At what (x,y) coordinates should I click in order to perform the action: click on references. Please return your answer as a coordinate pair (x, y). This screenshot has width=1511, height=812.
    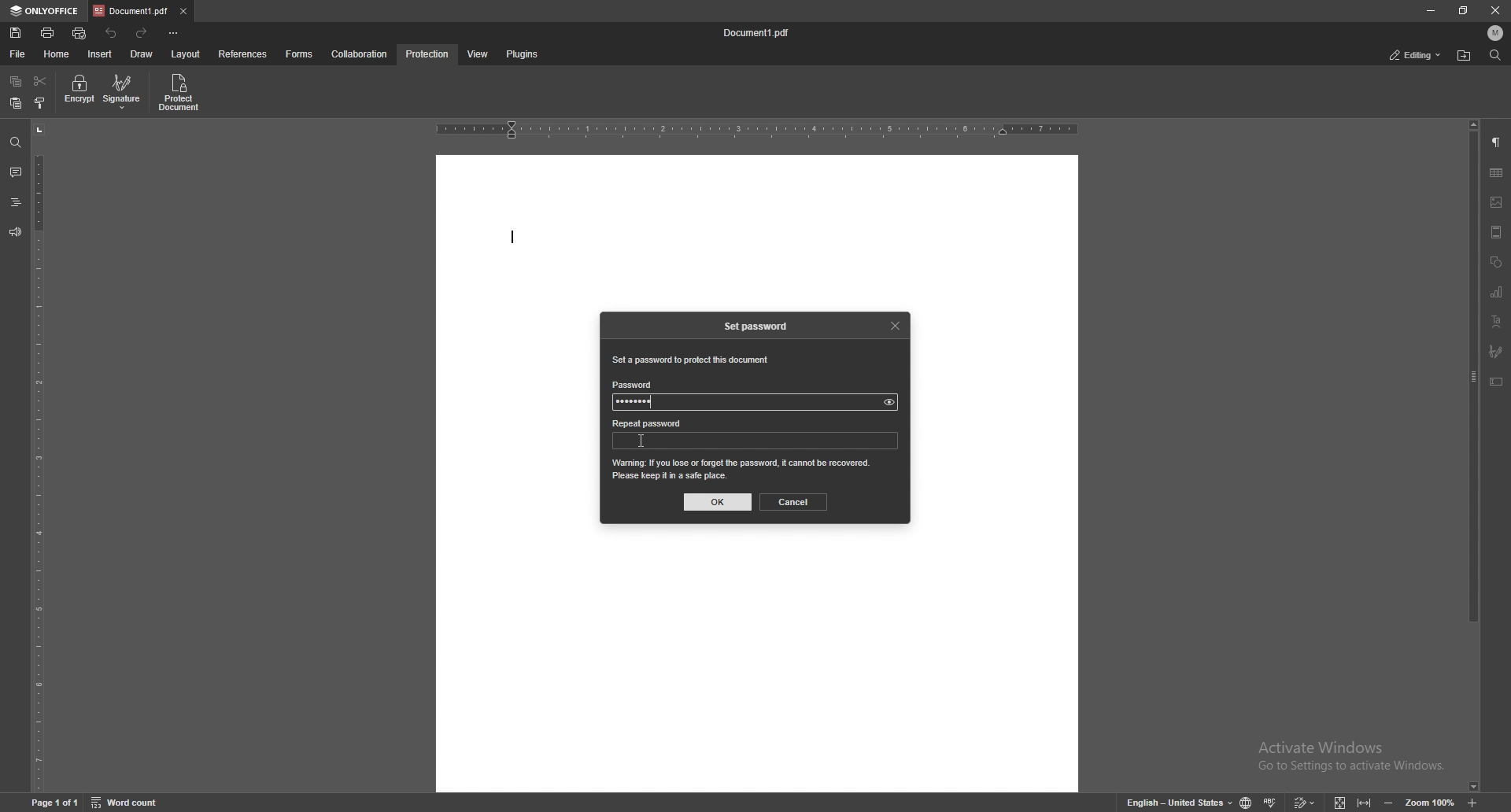
    Looking at the image, I should click on (242, 55).